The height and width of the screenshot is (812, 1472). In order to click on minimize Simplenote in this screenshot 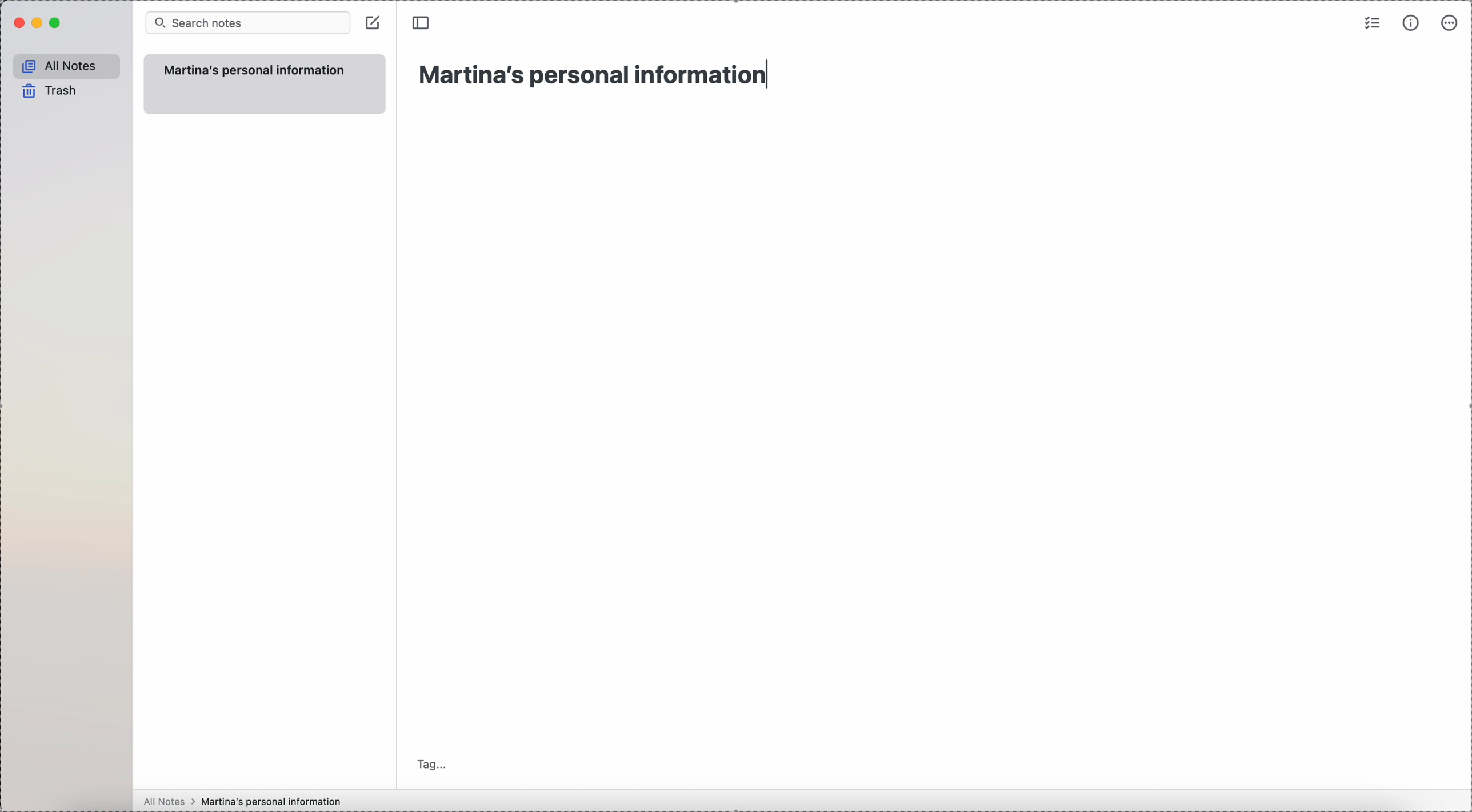, I will do `click(39, 23)`.